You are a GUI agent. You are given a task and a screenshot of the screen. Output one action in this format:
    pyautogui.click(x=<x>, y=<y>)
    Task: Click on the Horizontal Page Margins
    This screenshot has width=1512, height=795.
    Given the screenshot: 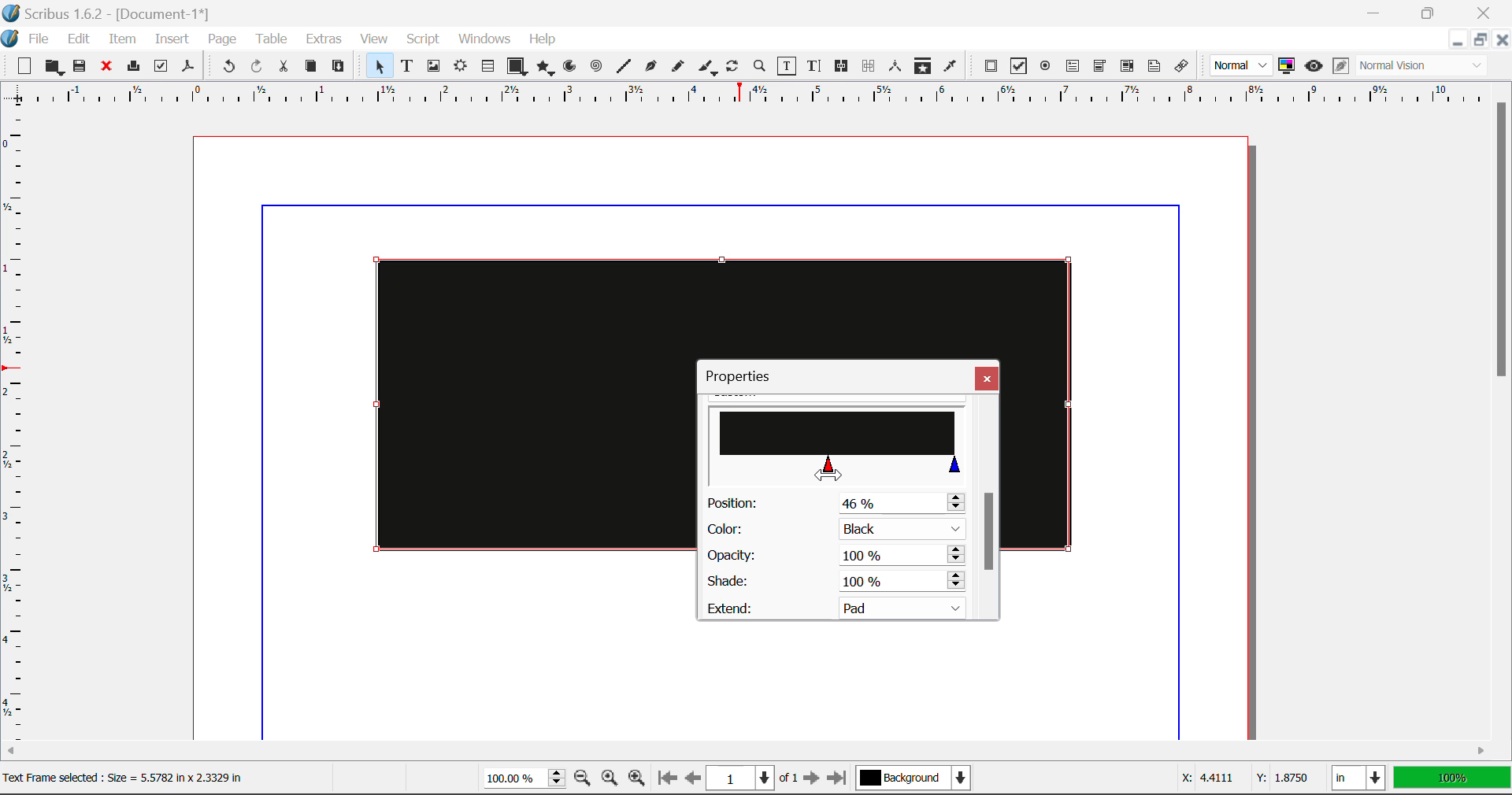 What is the action you would take?
    pyautogui.click(x=20, y=431)
    